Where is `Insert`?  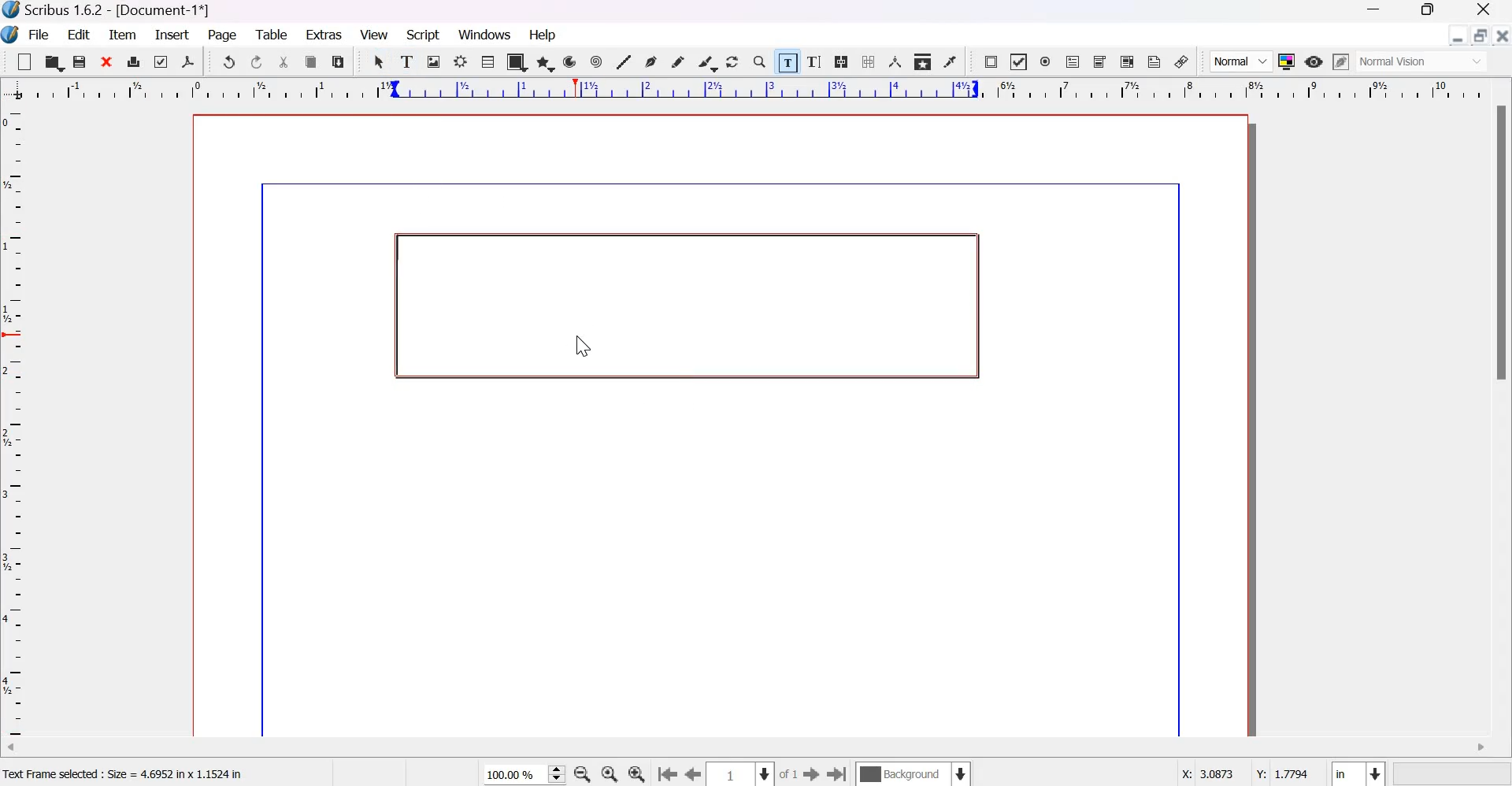
Insert is located at coordinates (172, 35).